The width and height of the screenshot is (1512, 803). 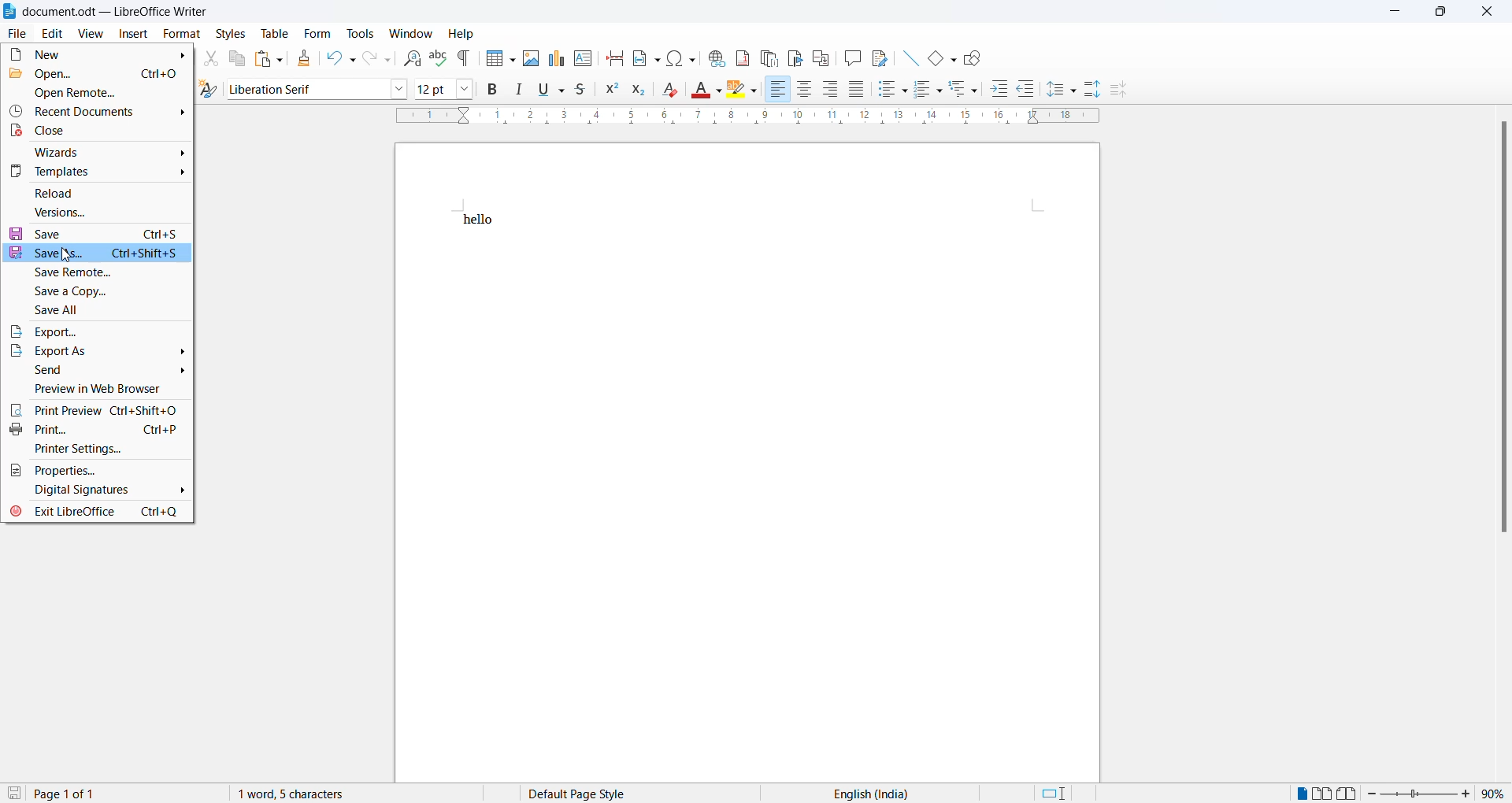 What do you see at coordinates (316, 32) in the screenshot?
I see `form` at bounding box center [316, 32].